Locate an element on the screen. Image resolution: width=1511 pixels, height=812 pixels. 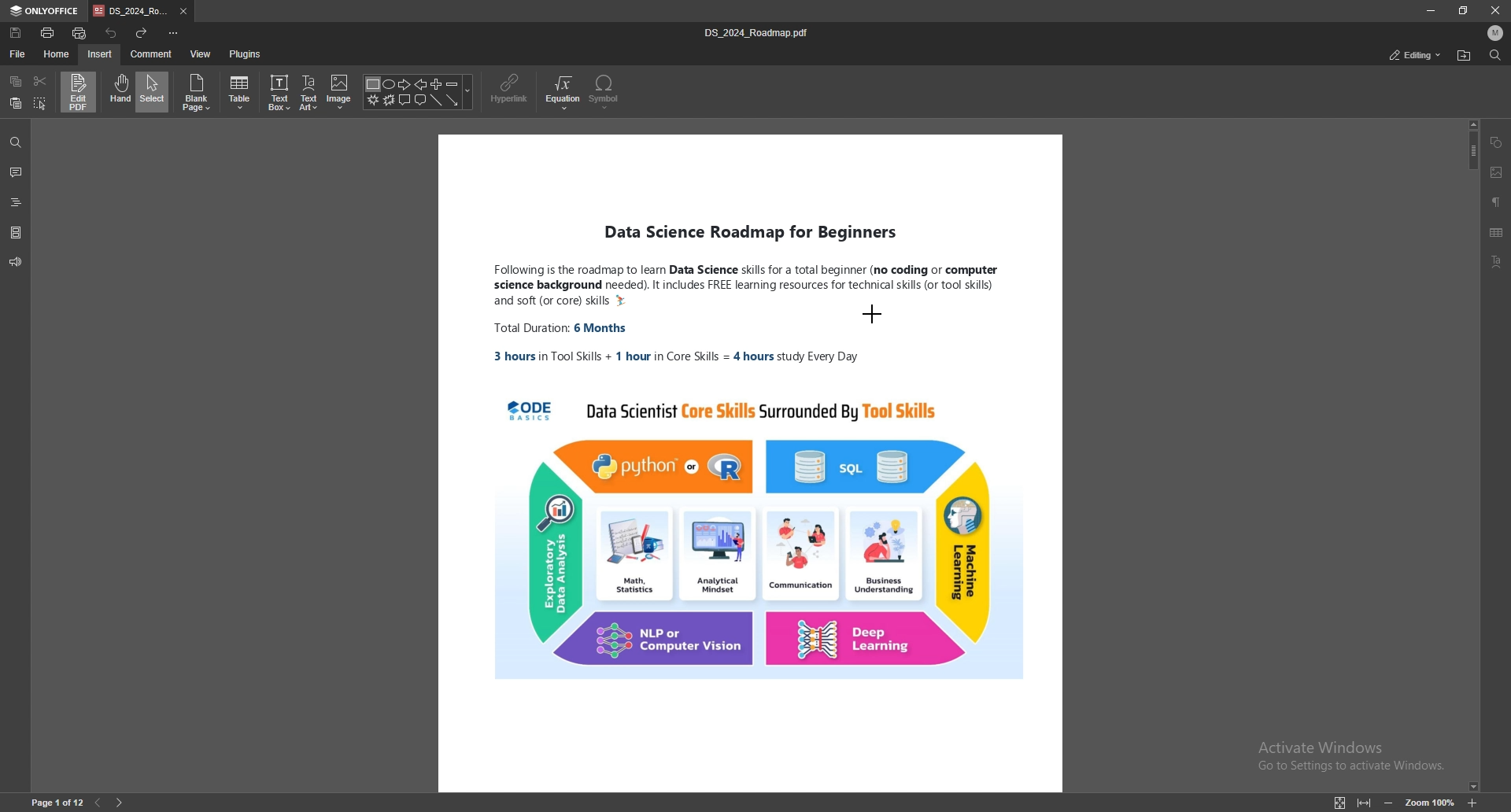
next page is located at coordinates (120, 803).